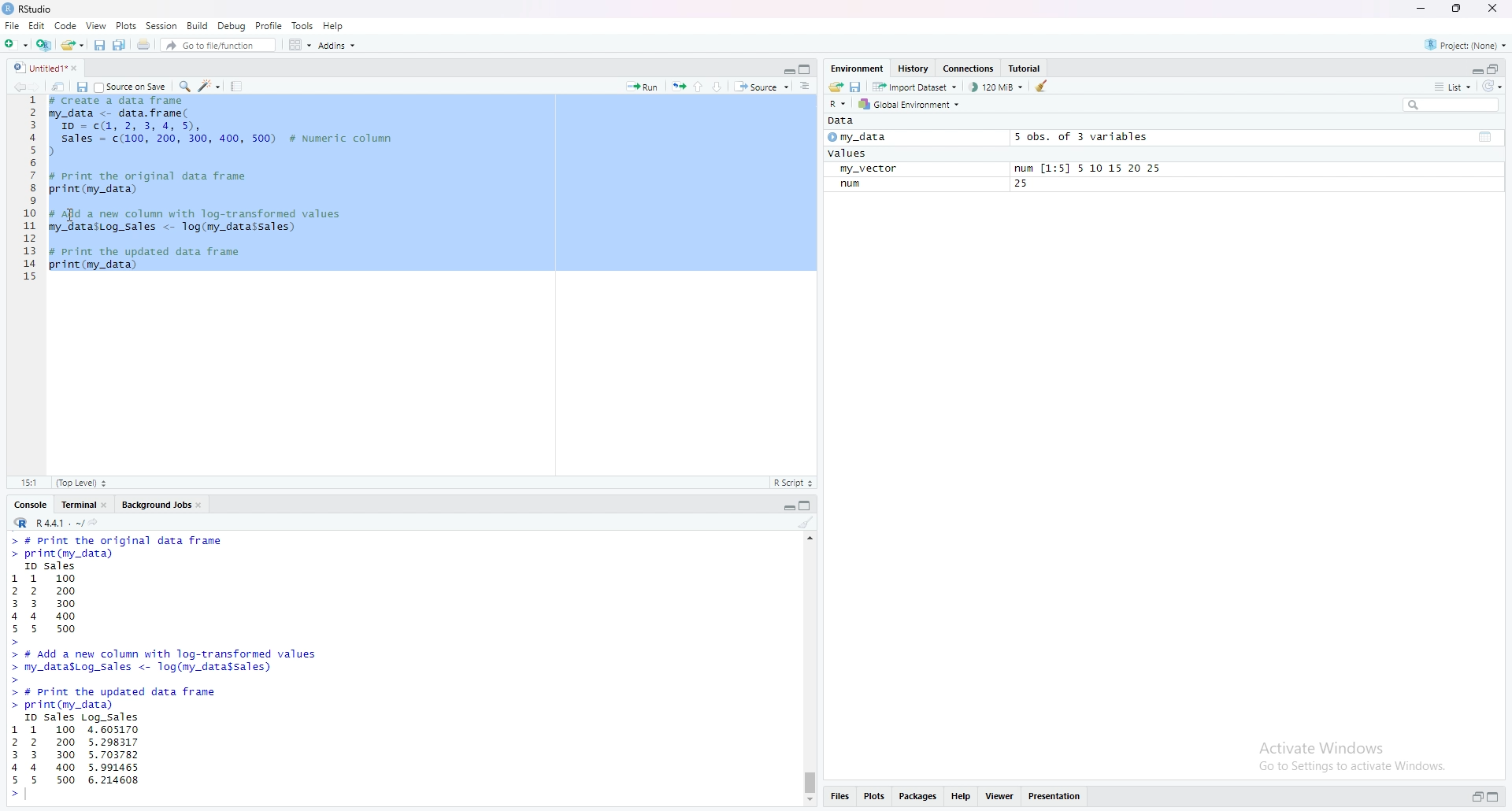  What do you see at coordinates (122, 46) in the screenshot?
I see `save all open documents` at bounding box center [122, 46].